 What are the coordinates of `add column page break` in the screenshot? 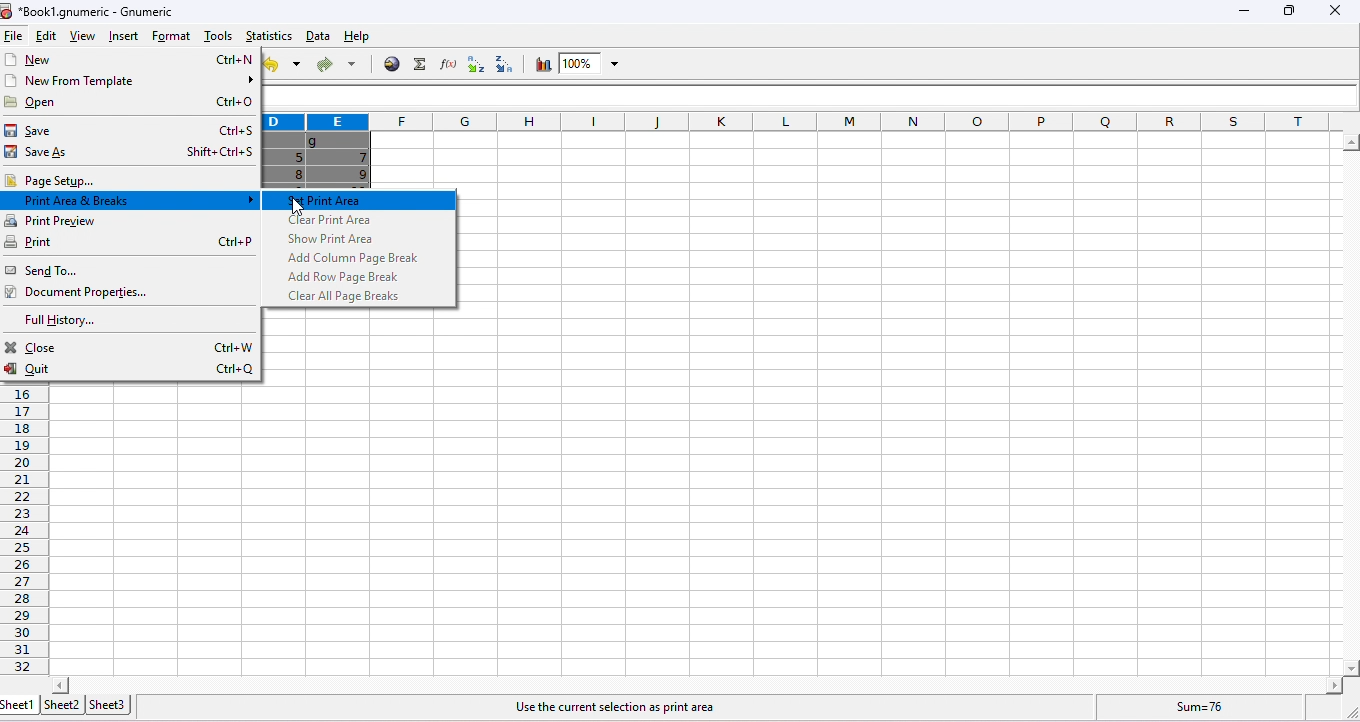 It's located at (355, 258).